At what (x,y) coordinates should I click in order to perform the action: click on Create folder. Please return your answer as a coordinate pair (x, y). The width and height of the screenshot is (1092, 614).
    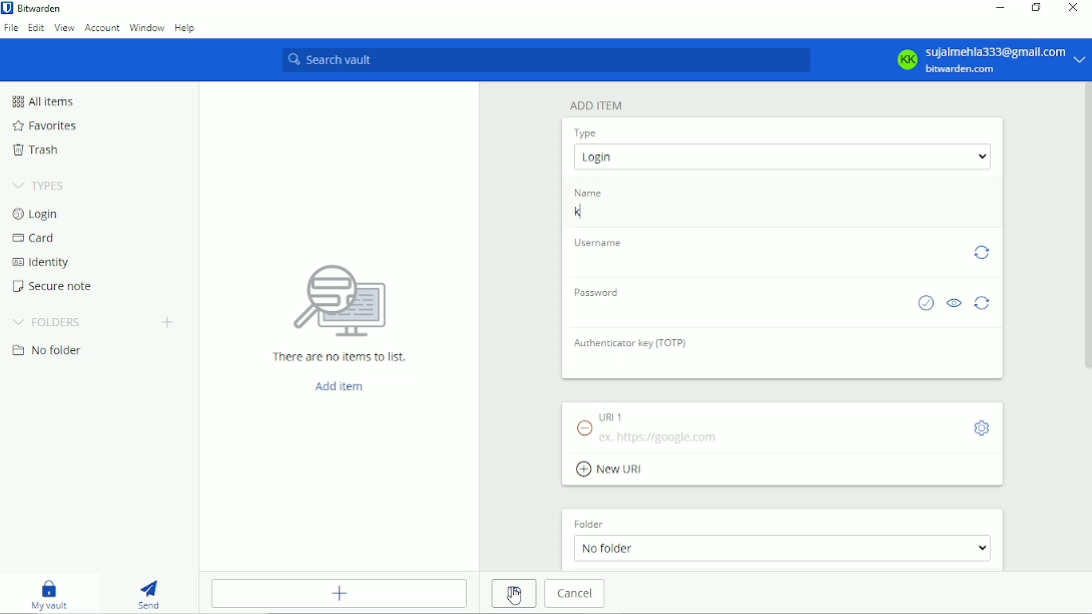
    Looking at the image, I should click on (169, 323).